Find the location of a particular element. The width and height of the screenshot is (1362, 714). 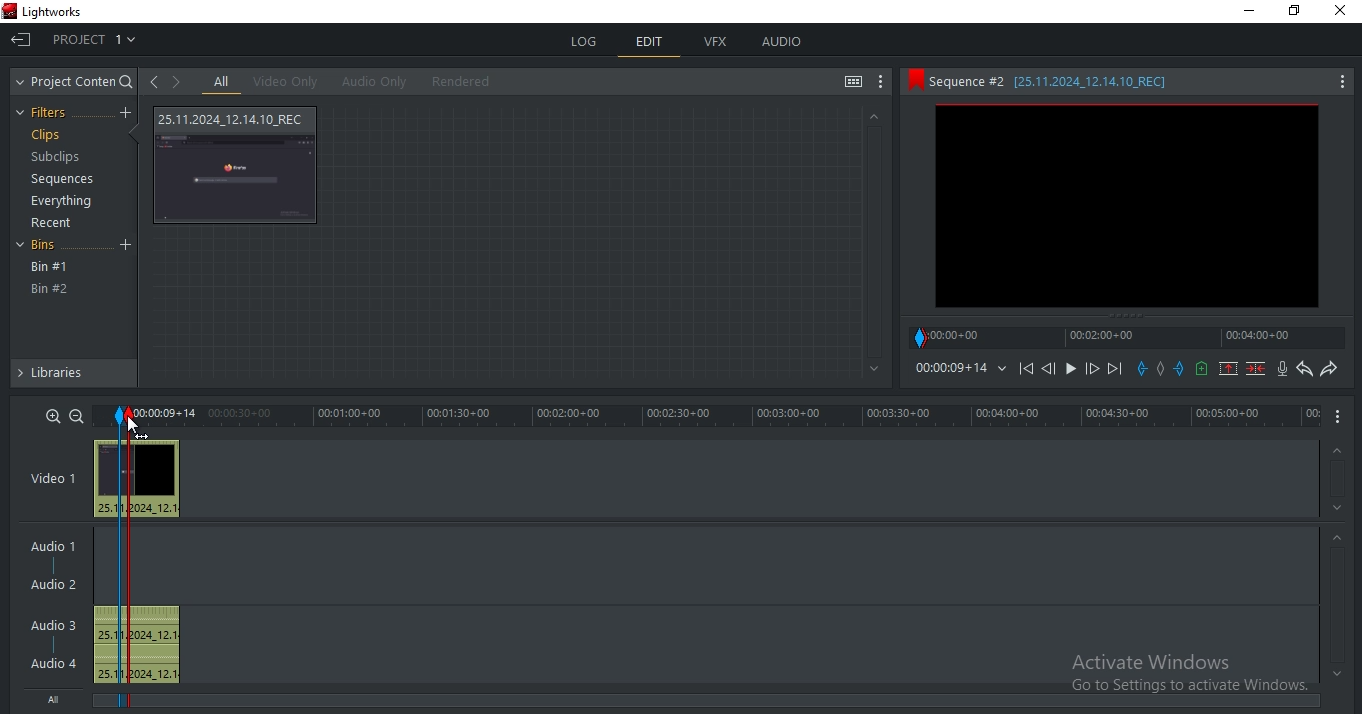

Minimize is located at coordinates (1246, 12).